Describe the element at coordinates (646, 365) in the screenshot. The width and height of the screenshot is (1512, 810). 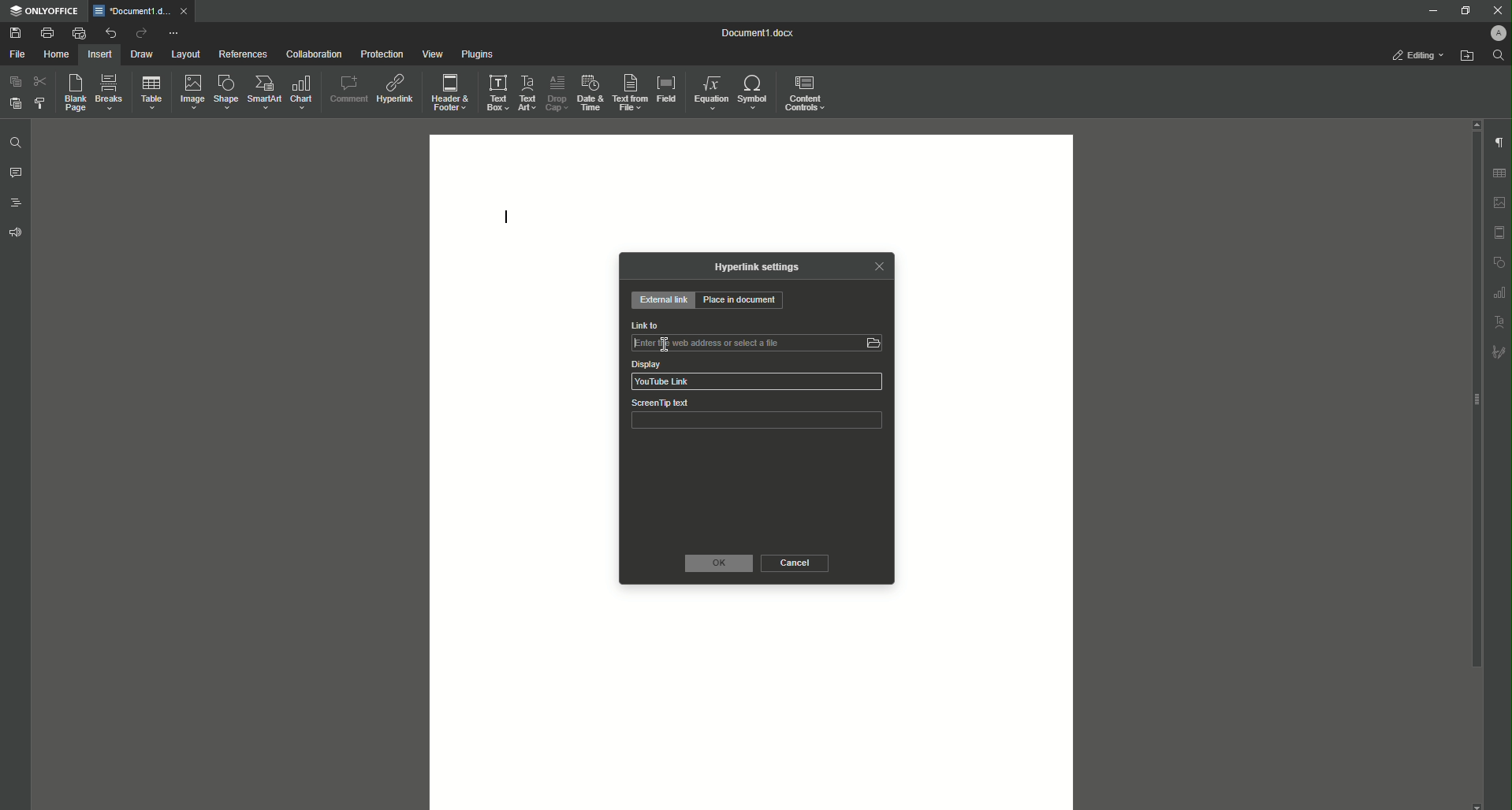
I see `Display` at that location.